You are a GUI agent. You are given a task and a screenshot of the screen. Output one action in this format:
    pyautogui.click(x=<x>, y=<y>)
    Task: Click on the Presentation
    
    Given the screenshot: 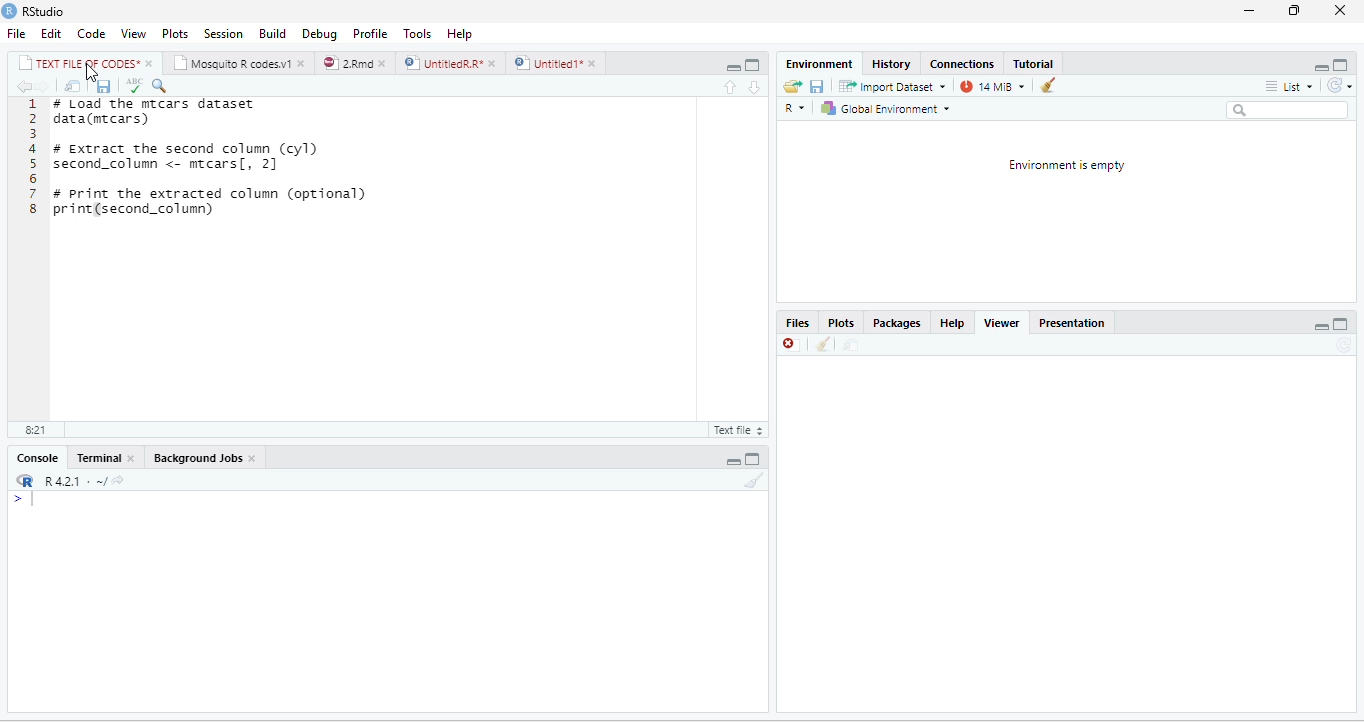 What is the action you would take?
    pyautogui.click(x=1077, y=323)
    